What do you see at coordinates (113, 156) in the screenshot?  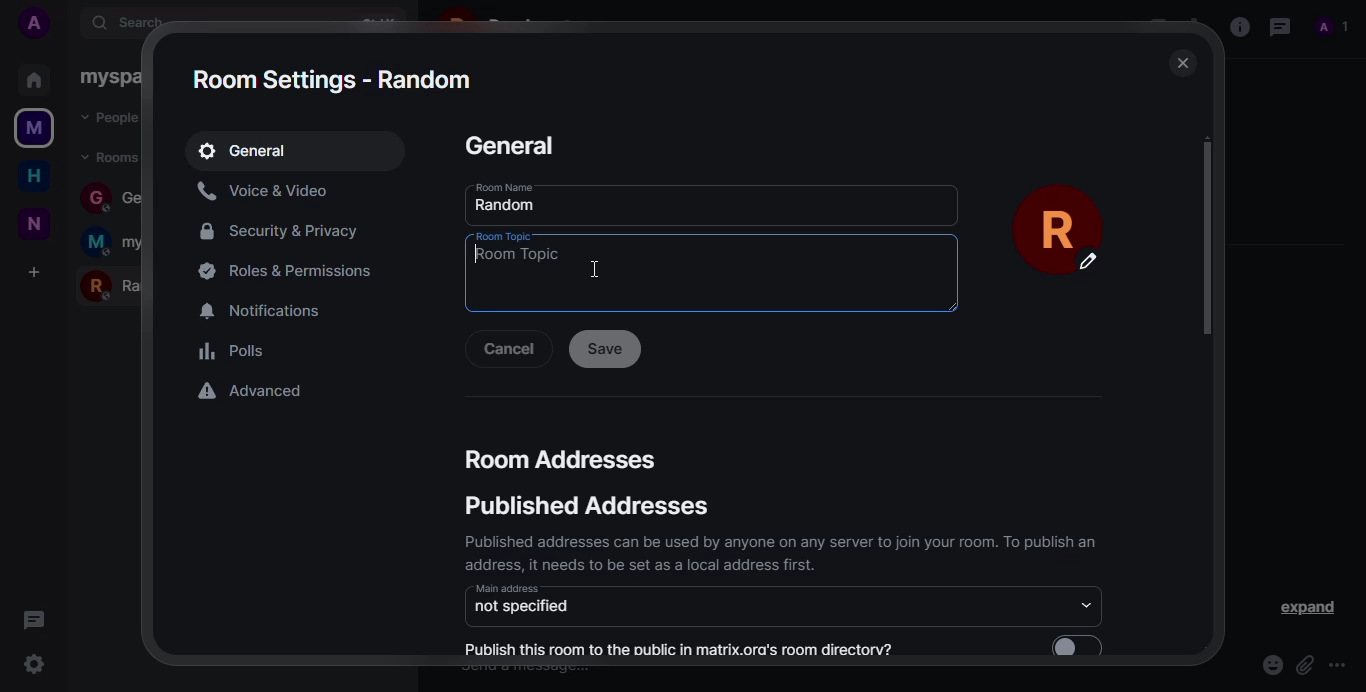 I see `rooms` at bounding box center [113, 156].